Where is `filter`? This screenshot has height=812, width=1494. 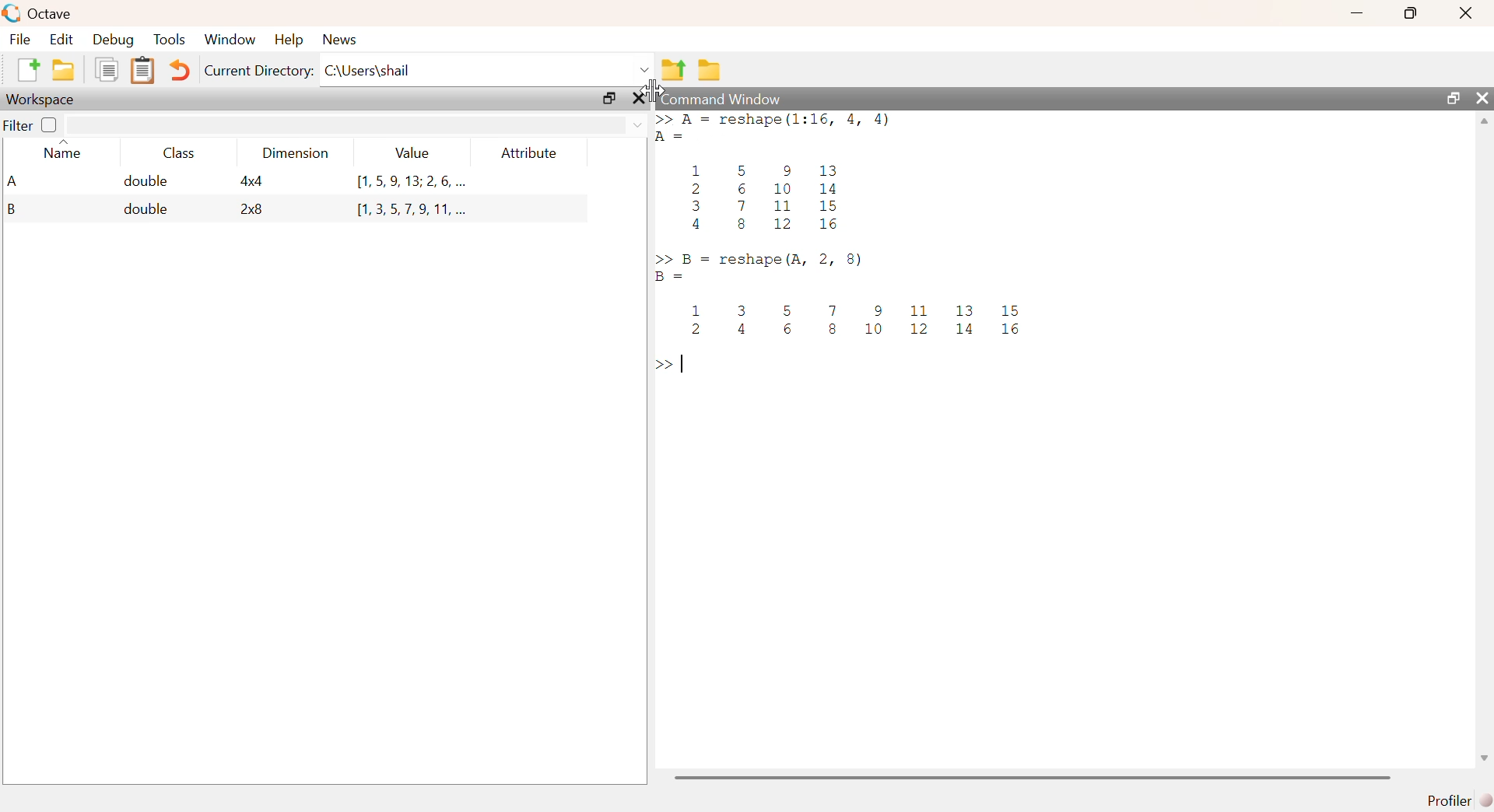
filter is located at coordinates (17, 126).